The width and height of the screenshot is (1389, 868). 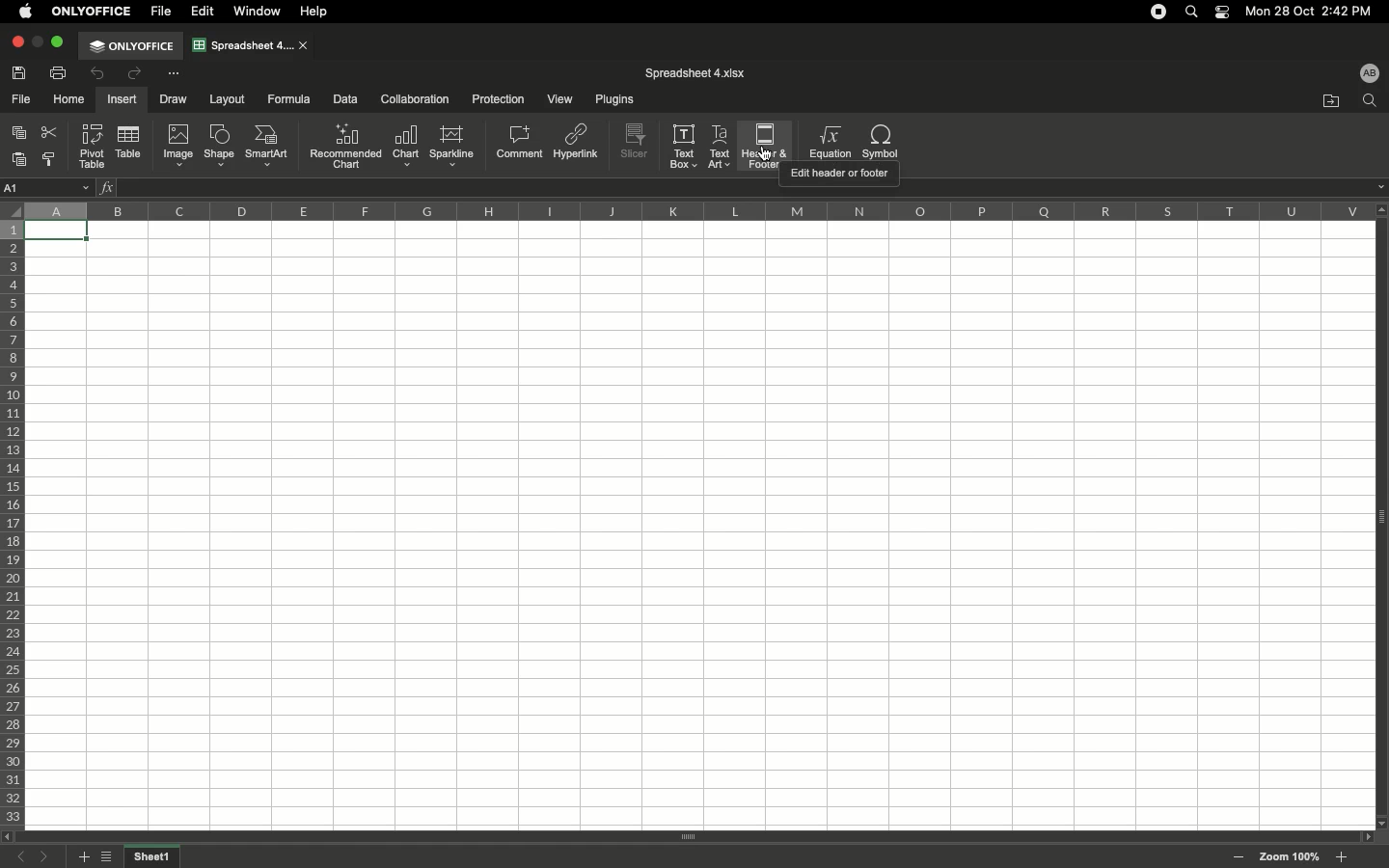 What do you see at coordinates (317, 12) in the screenshot?
I see `Help` at bounding box center [317, 12].